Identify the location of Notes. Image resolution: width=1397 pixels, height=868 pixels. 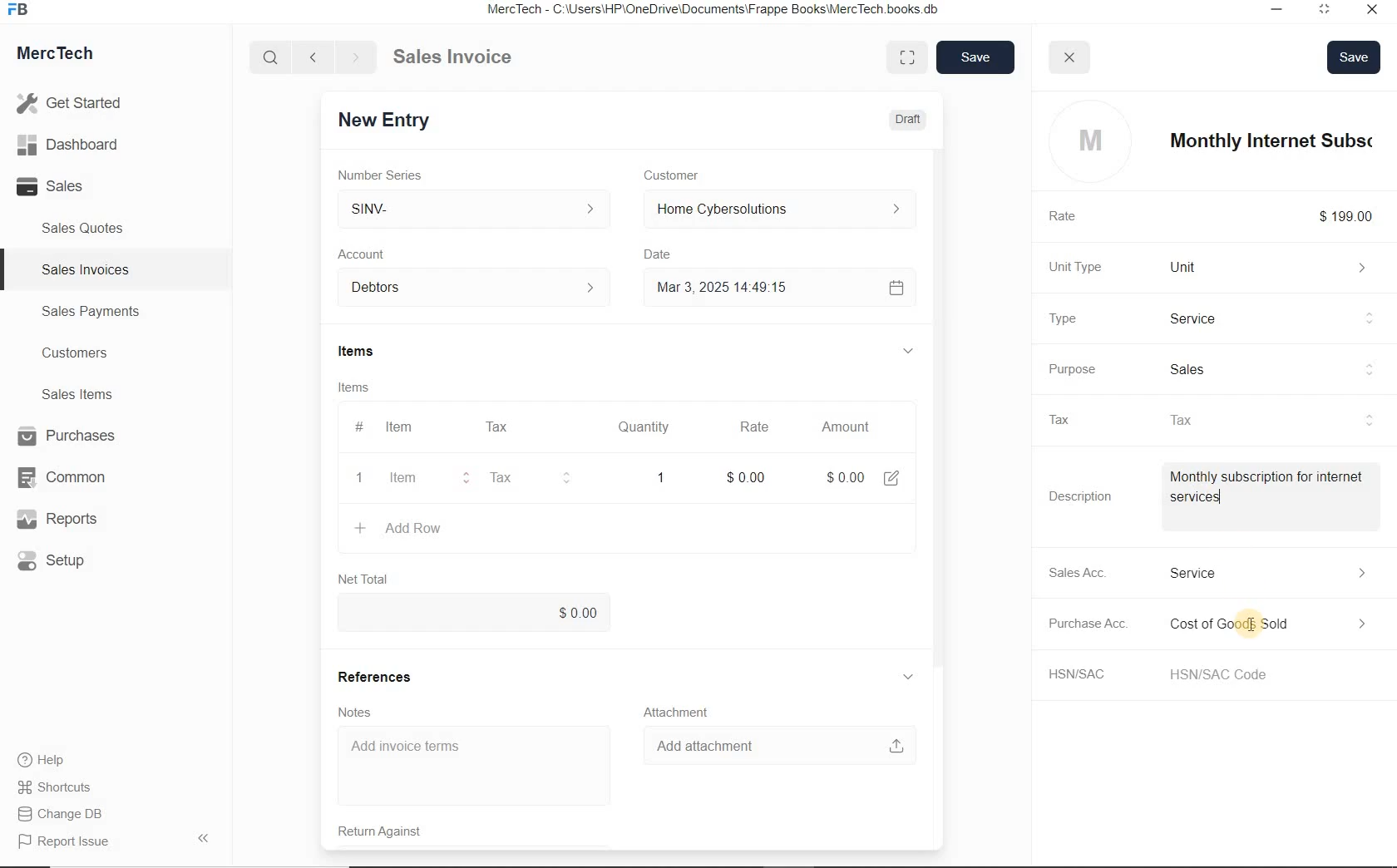
(359, 711).